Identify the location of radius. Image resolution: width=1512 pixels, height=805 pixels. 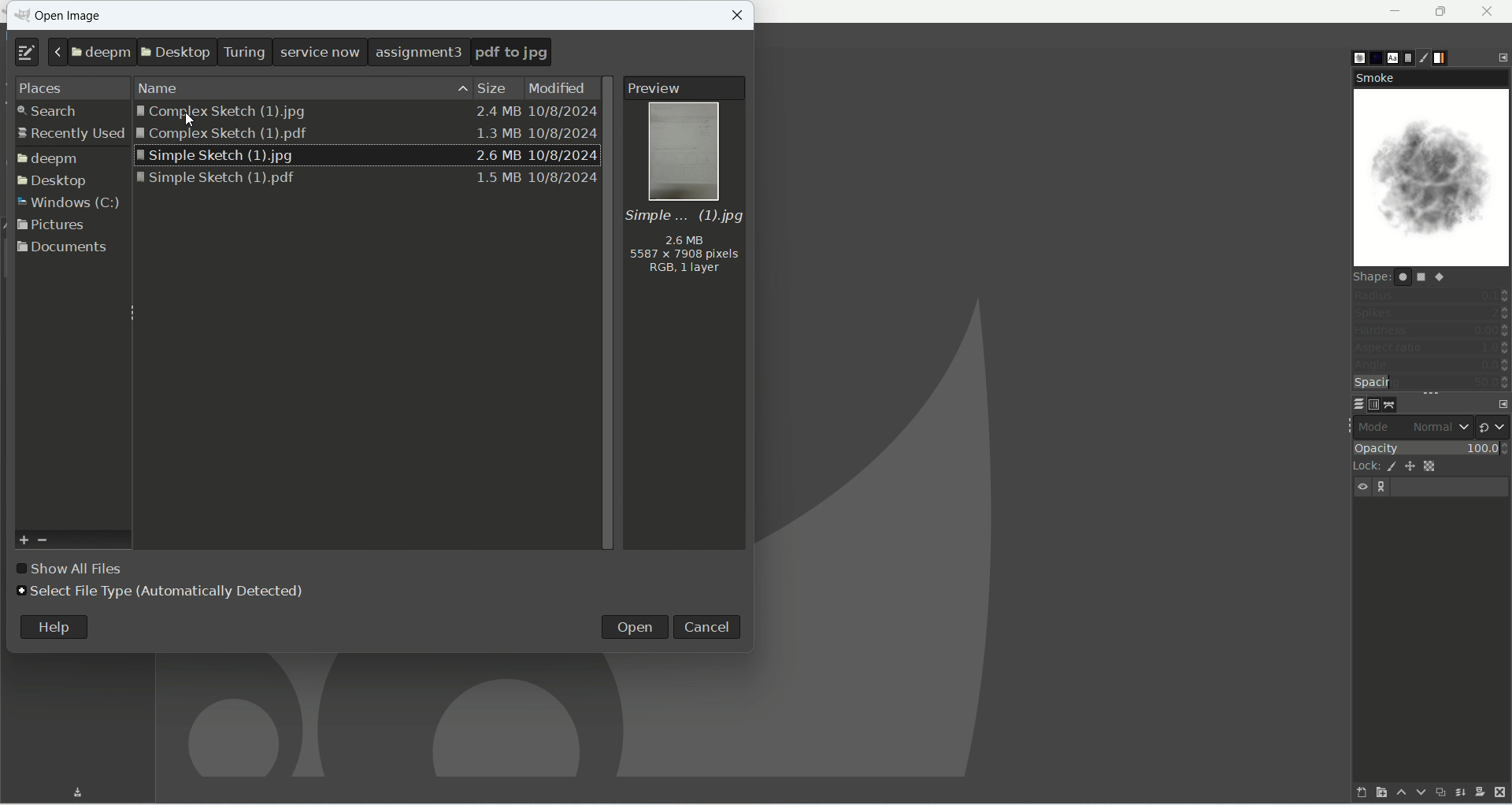
(1432, 295).